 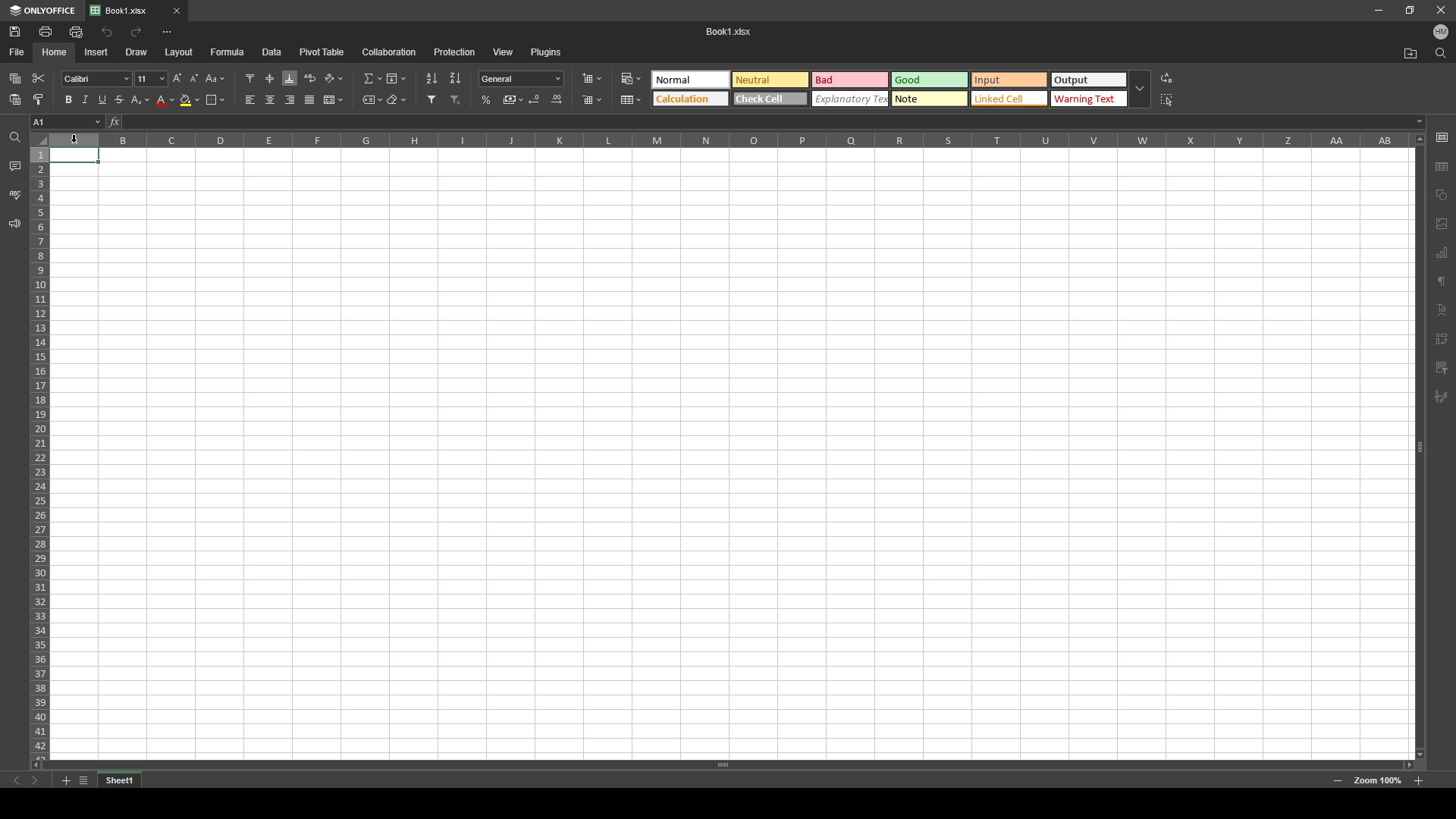 What do you see at coordinates (227, 51) in the screenshot?
I see `formula` at bounding box center [227, 51].